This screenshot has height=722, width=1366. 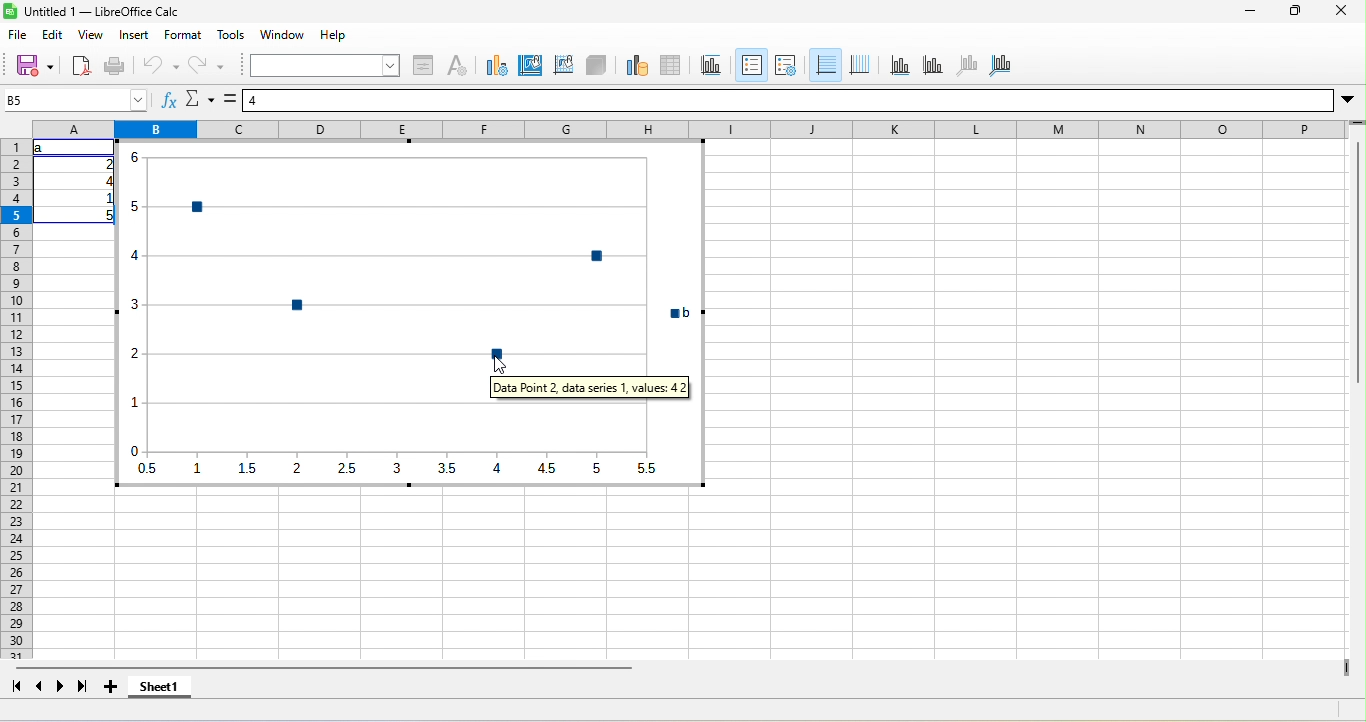 What do you see at coordinates (282, 35) in the screenshot?
I see `window` at bounding box center [282, 35].